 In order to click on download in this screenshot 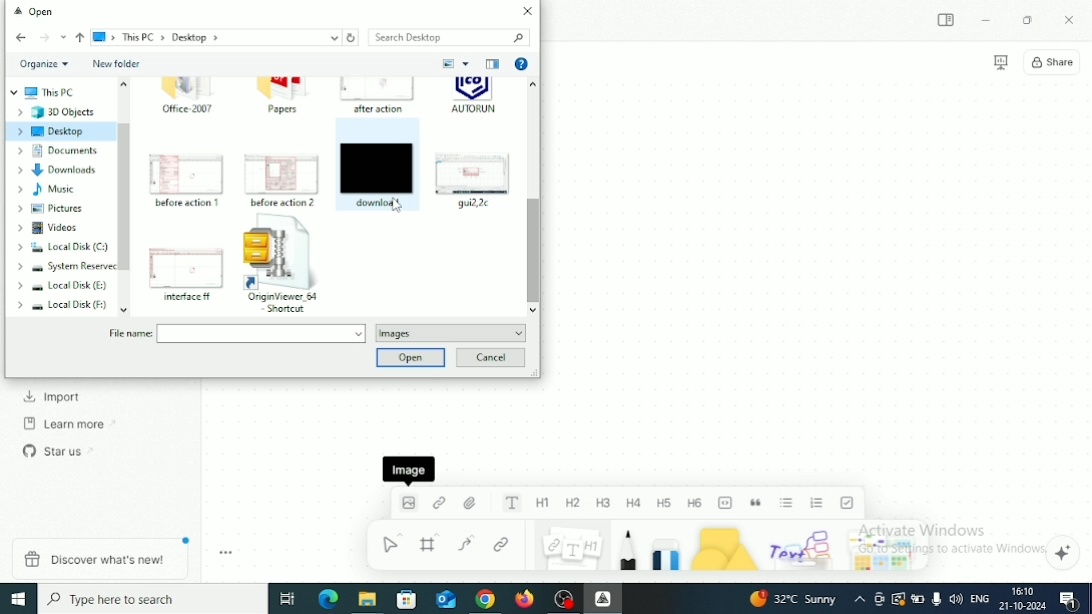, I will do `click(378, 164)`.